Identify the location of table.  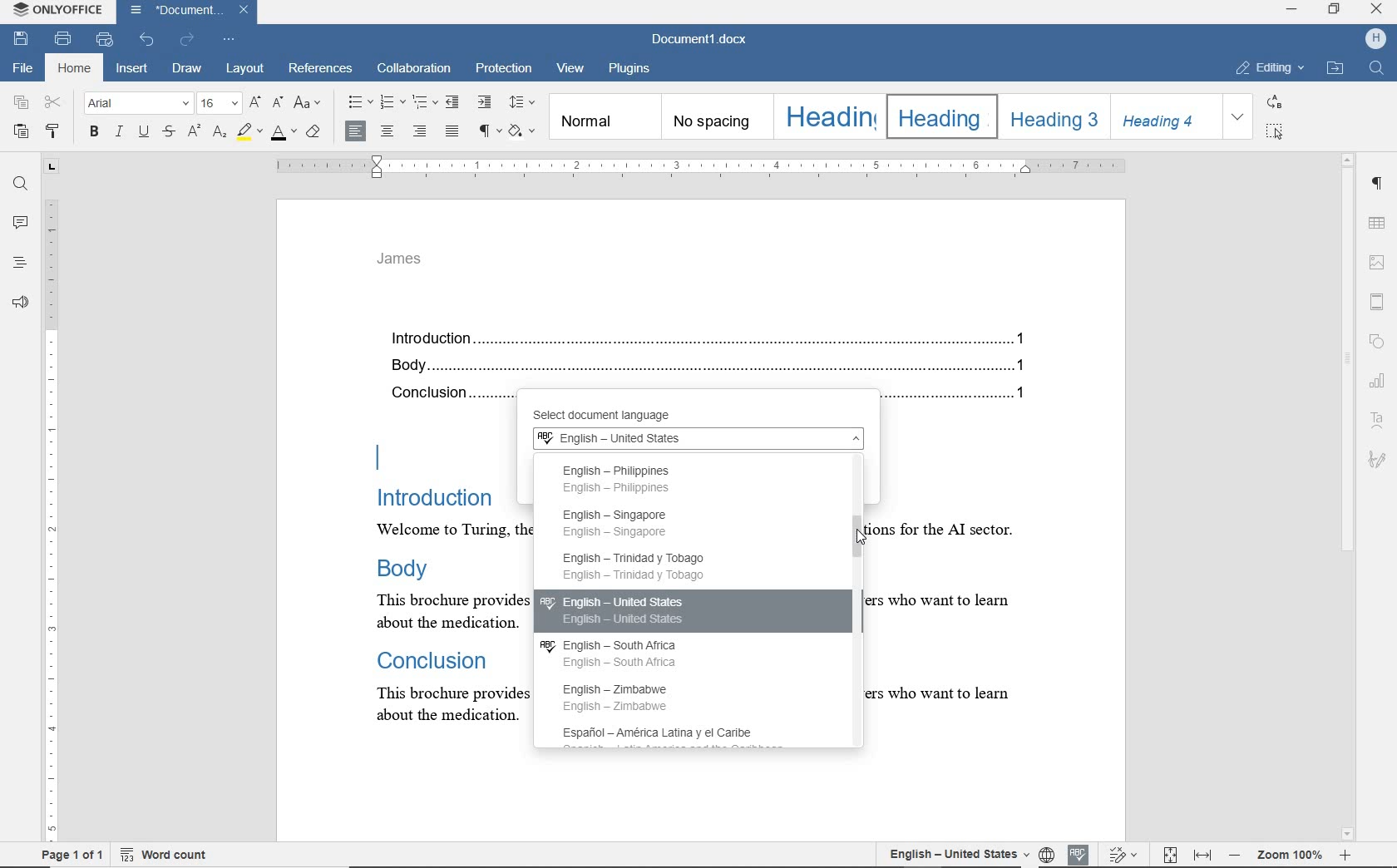
(1379, 223).